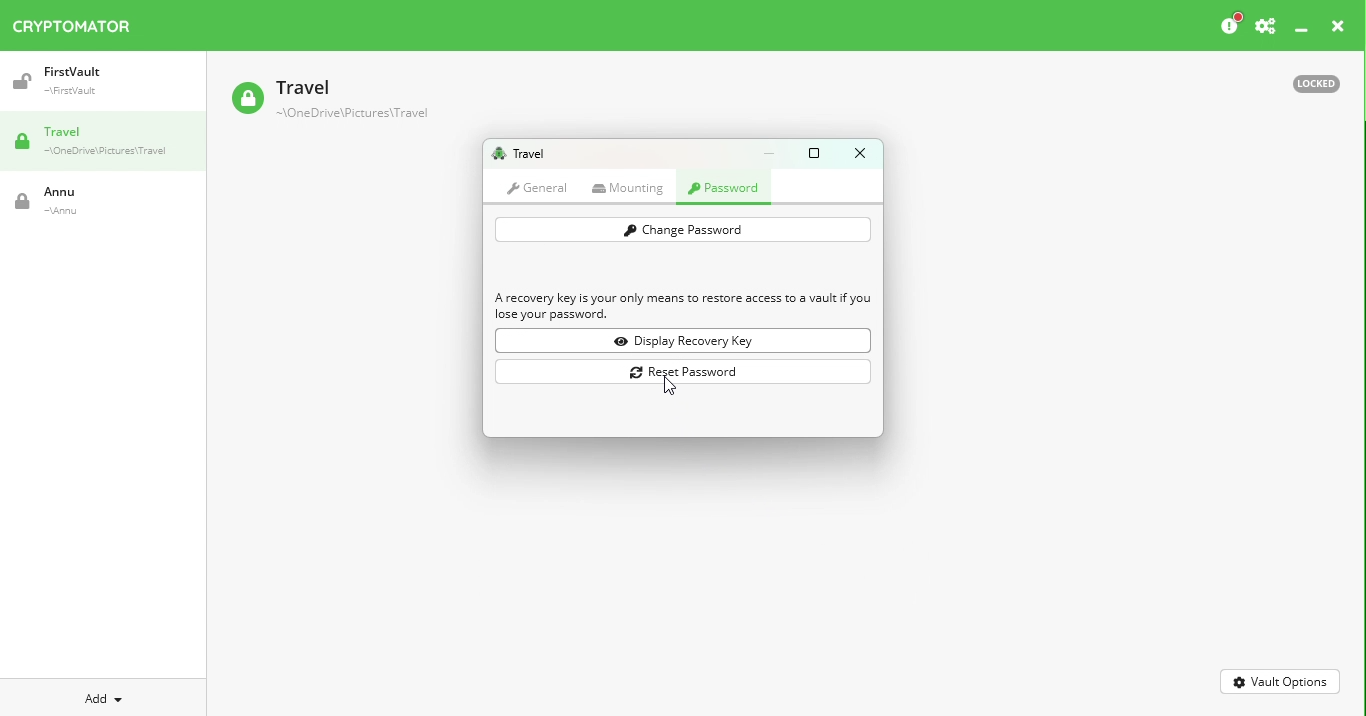 The image size is (1366, 716). What do you see at coordinates (1281, 680) in the screenshot?
I see `Vault options` at bounding box center [1281, 680].